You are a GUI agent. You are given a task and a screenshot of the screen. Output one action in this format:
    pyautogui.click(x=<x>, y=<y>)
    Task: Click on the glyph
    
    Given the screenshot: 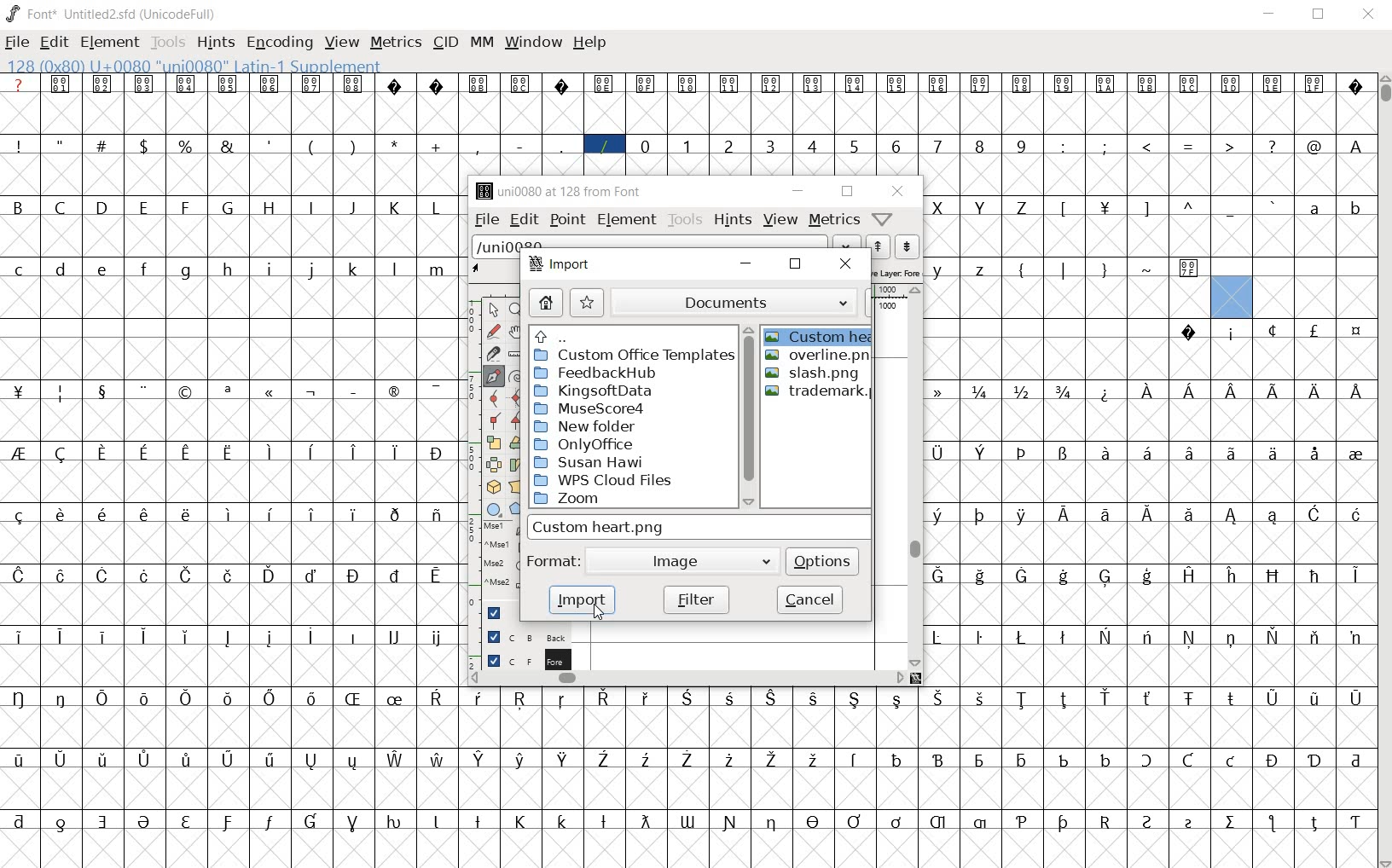 What is the action you would take?
    pyautogui.click(x=1314, y=513)
    